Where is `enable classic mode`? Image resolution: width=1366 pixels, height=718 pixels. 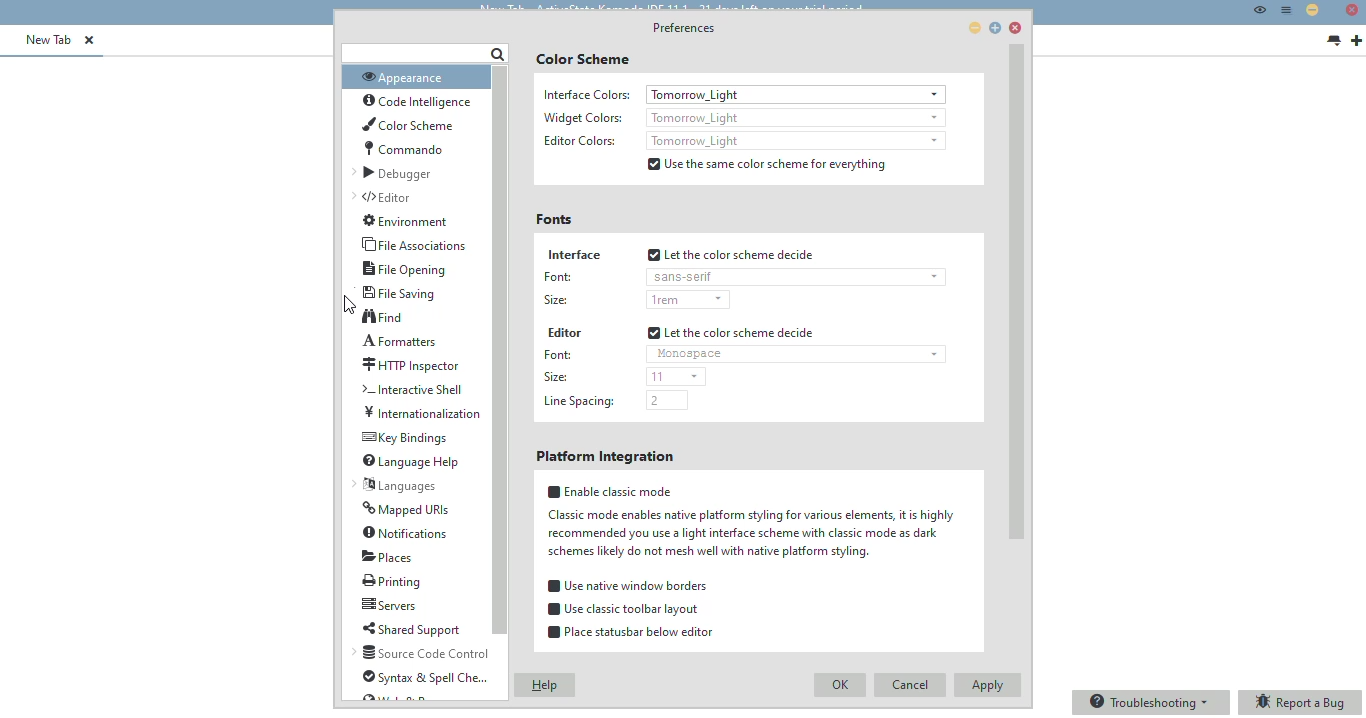 enable classic mode is located at coordinates (750, 522).